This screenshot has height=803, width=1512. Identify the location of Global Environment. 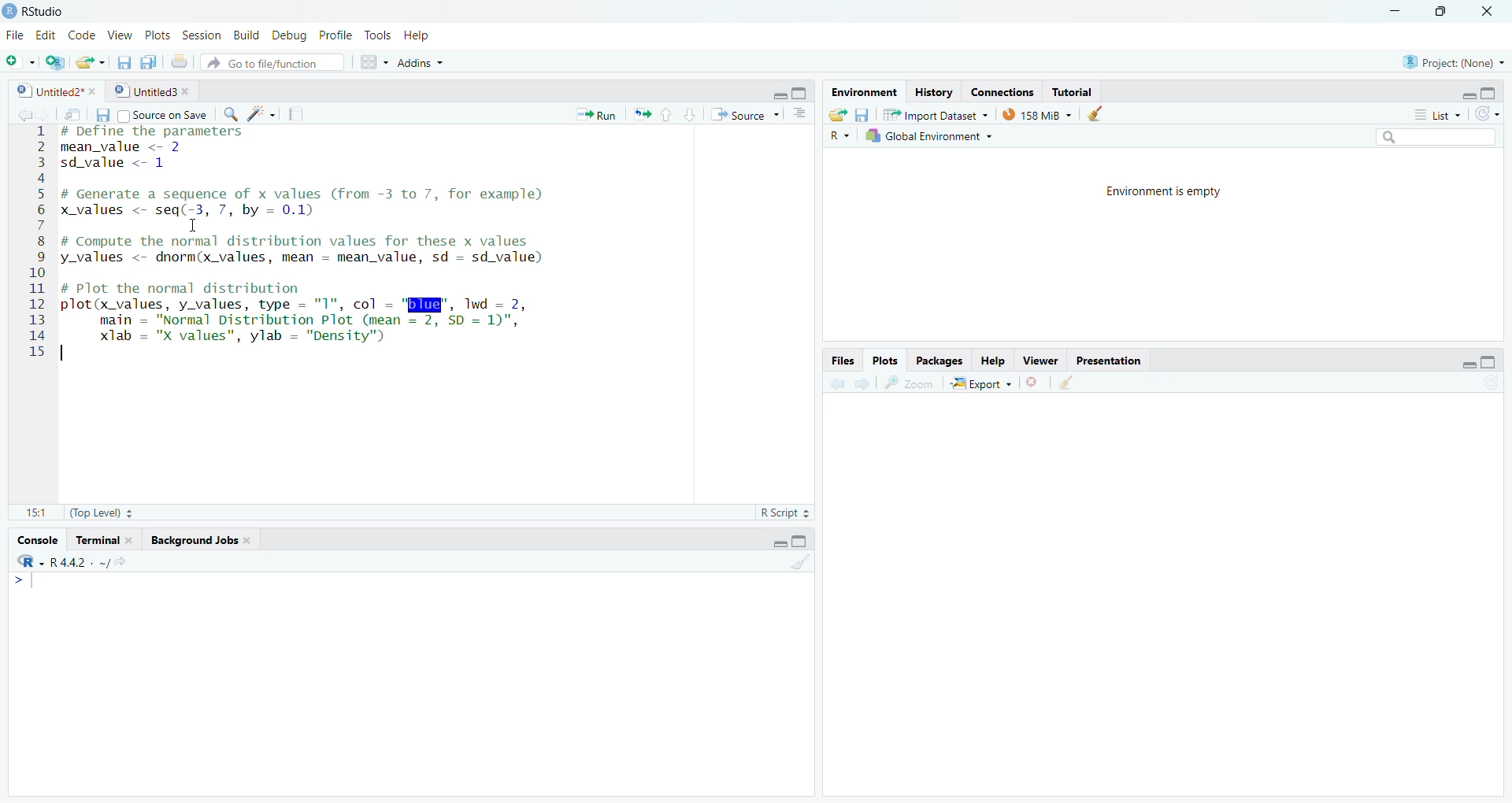
(928, 135).